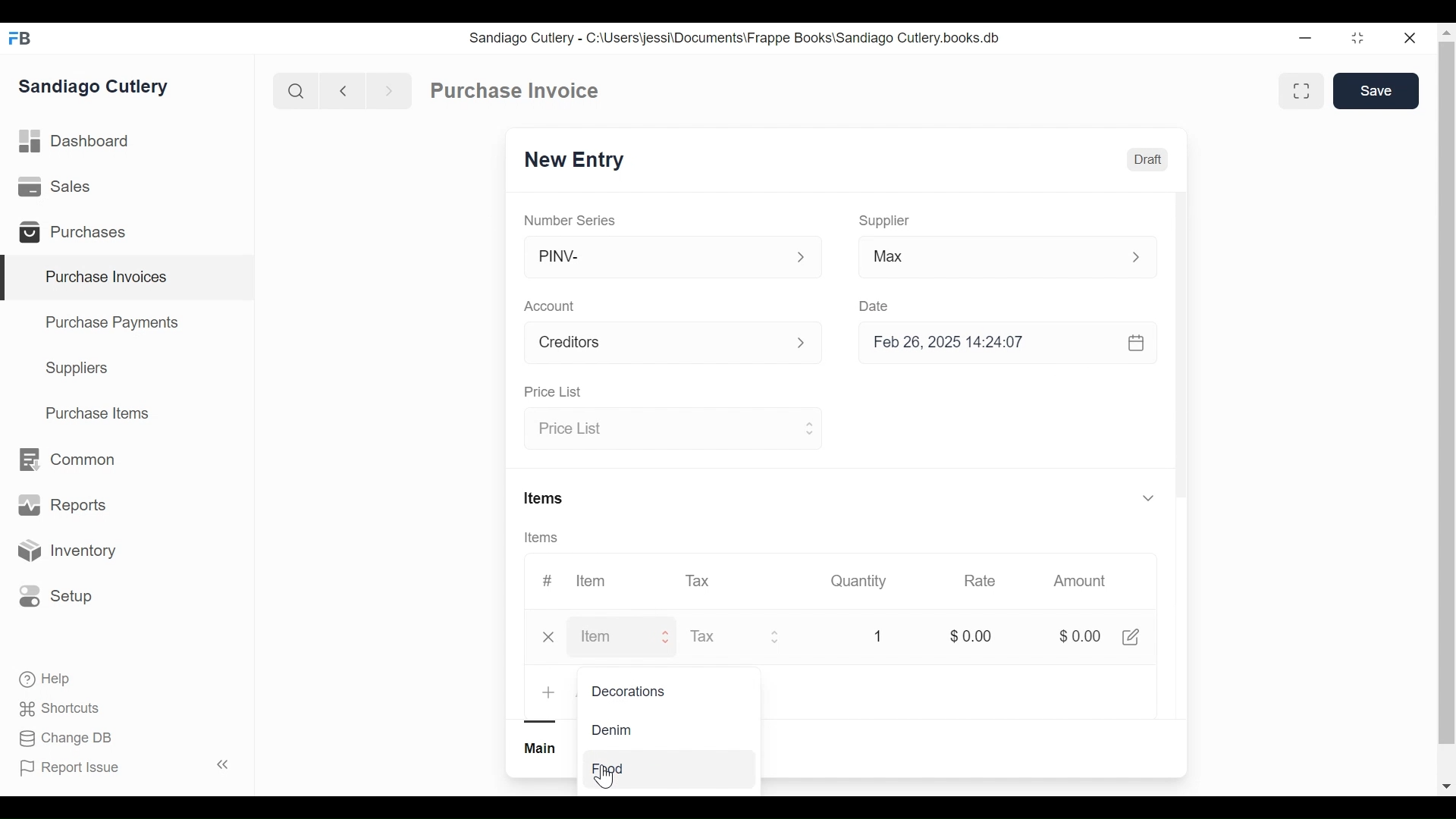 The image size is (1456, 819). I want to click on Minimize, so click(1307, 39).